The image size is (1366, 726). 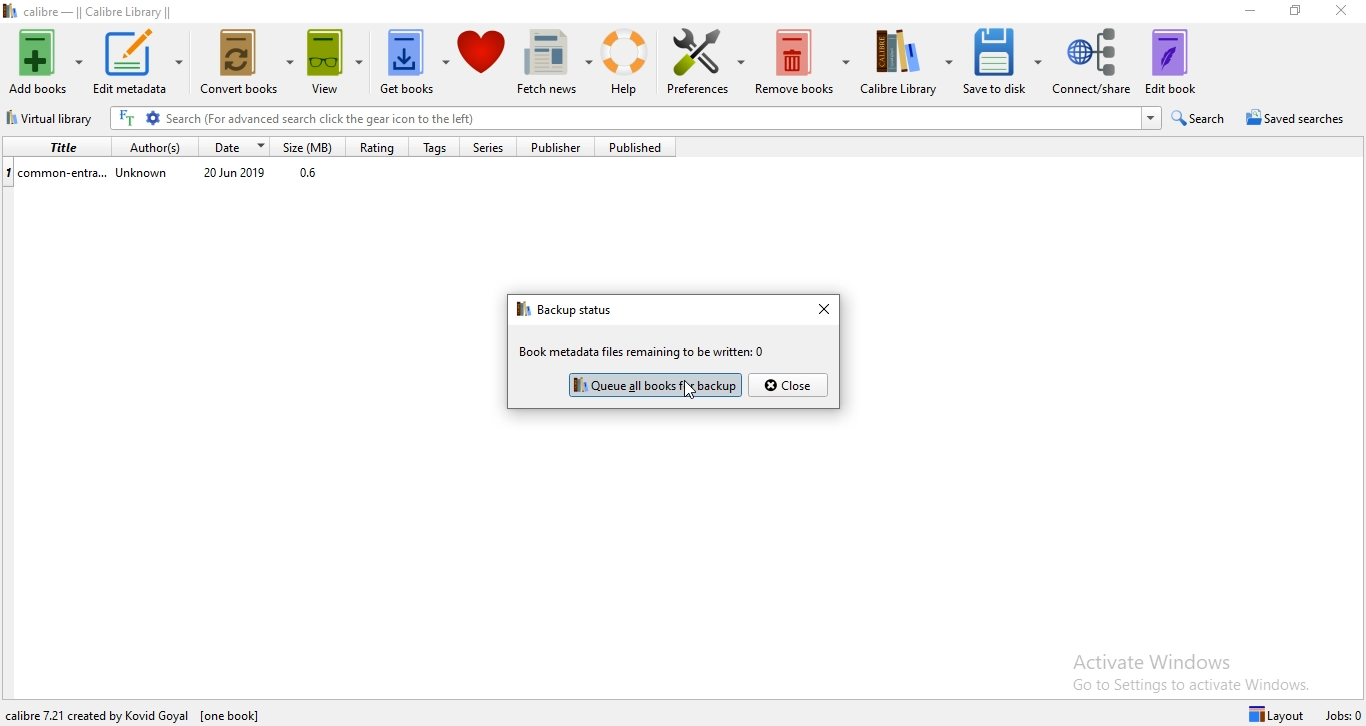 What do you see at coordinates (248, 66) in the screenshot?
I see `Convert books` at bounding box center [248, 66].